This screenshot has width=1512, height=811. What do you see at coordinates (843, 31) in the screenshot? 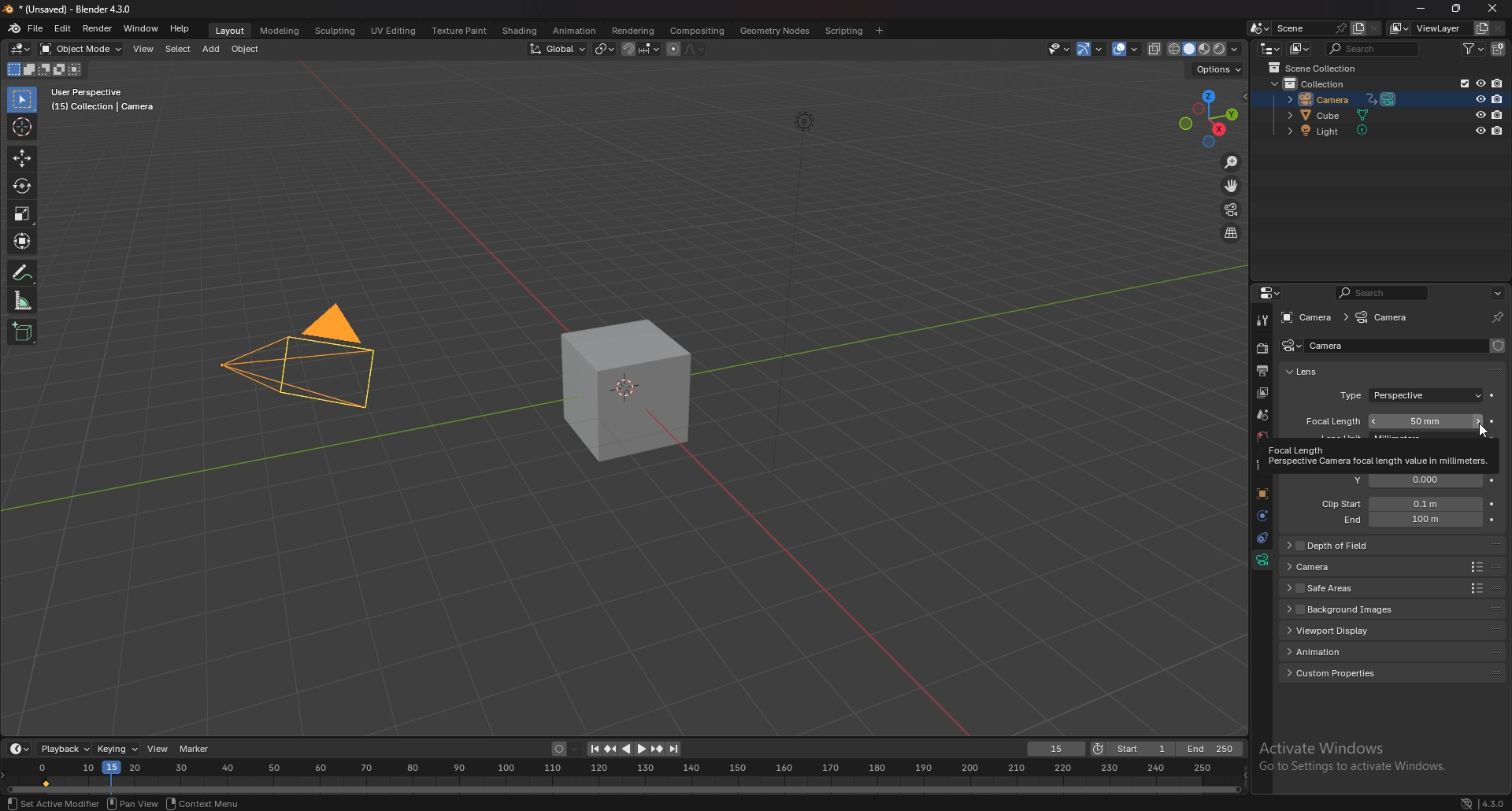
I see `scripting` at bounding box center [843, 31].